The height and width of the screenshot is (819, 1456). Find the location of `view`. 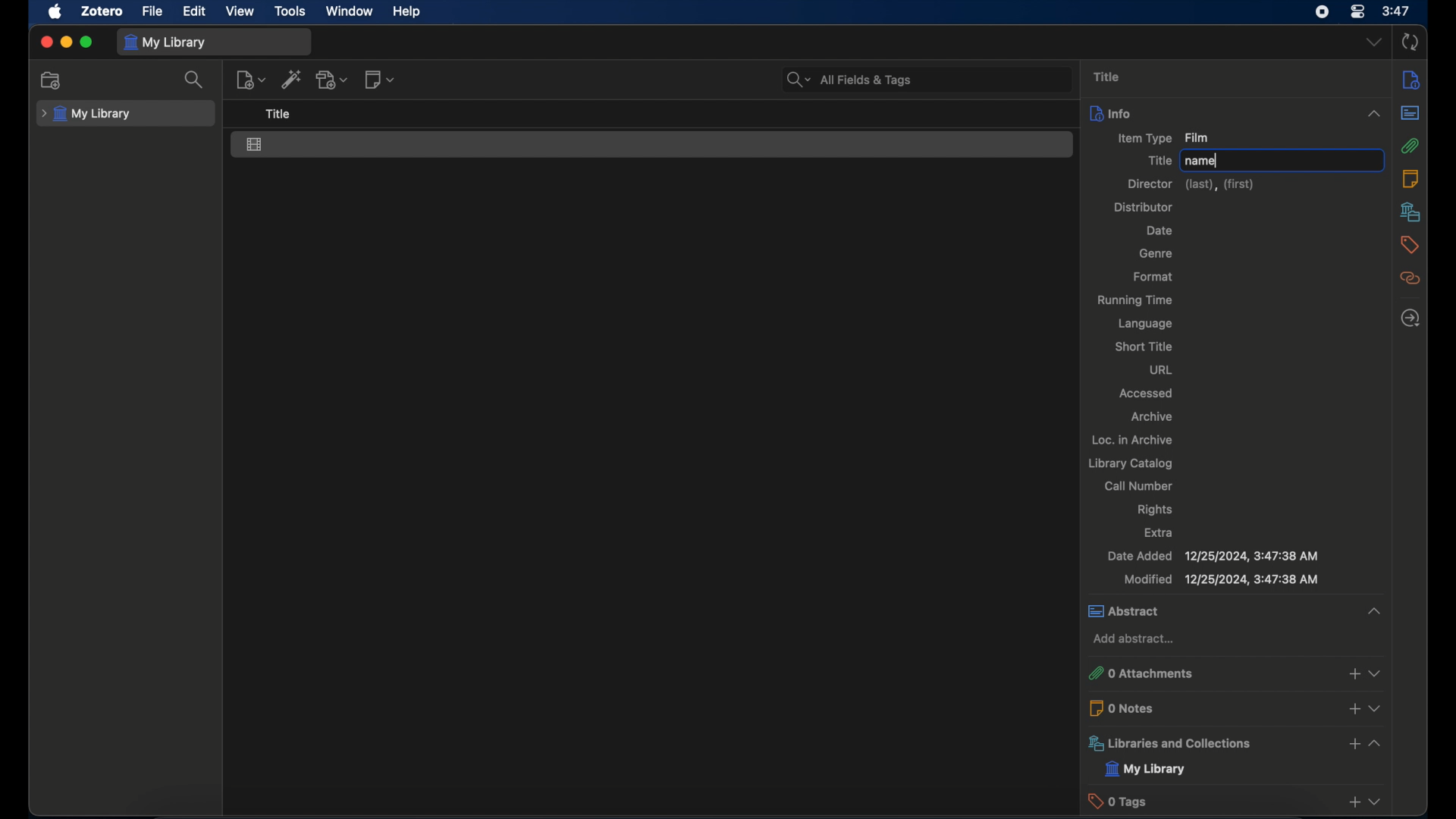

view is located at coordinates (241, 11).